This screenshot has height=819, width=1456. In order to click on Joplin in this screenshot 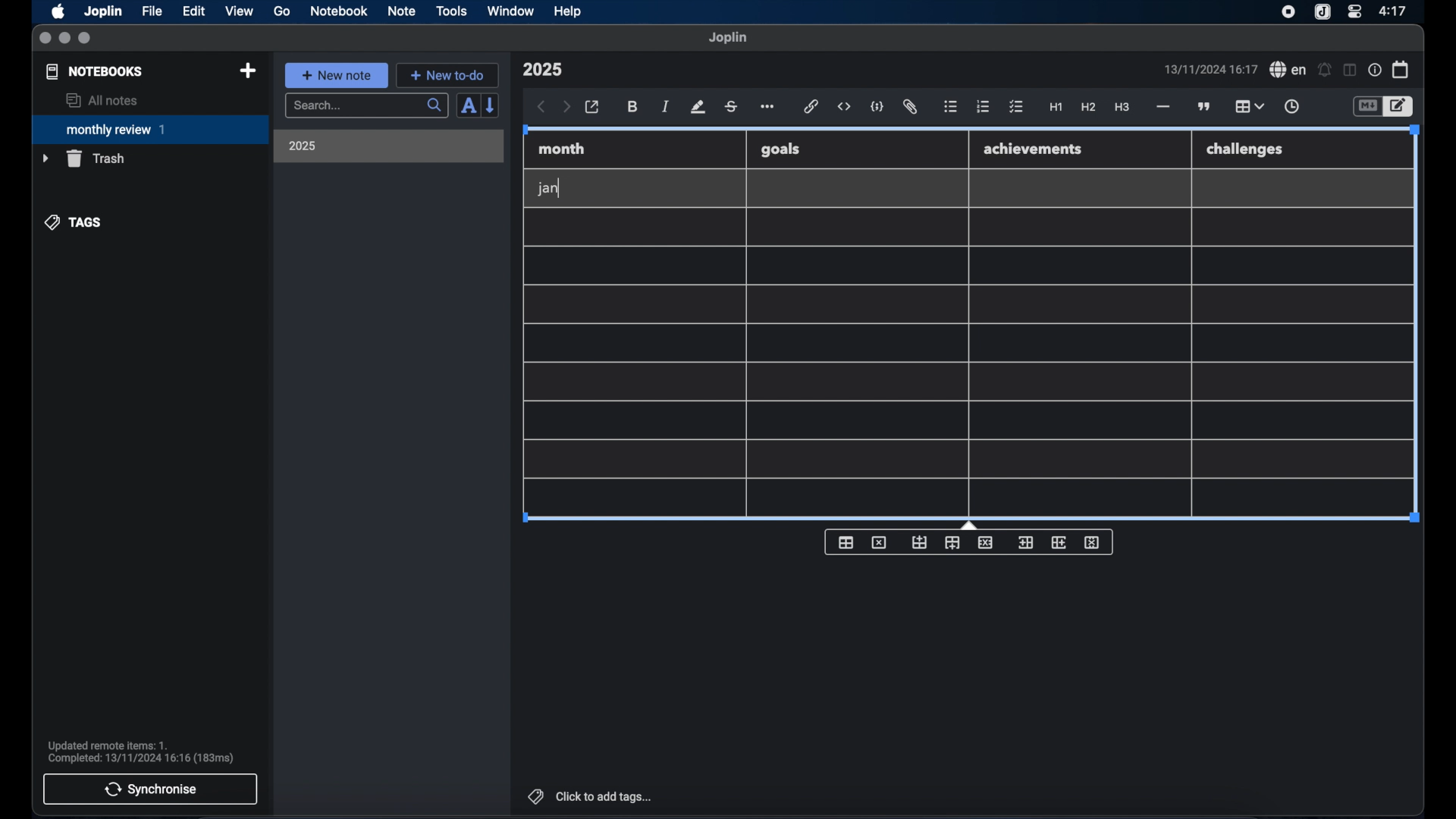, I will do `click(105, 12)`.